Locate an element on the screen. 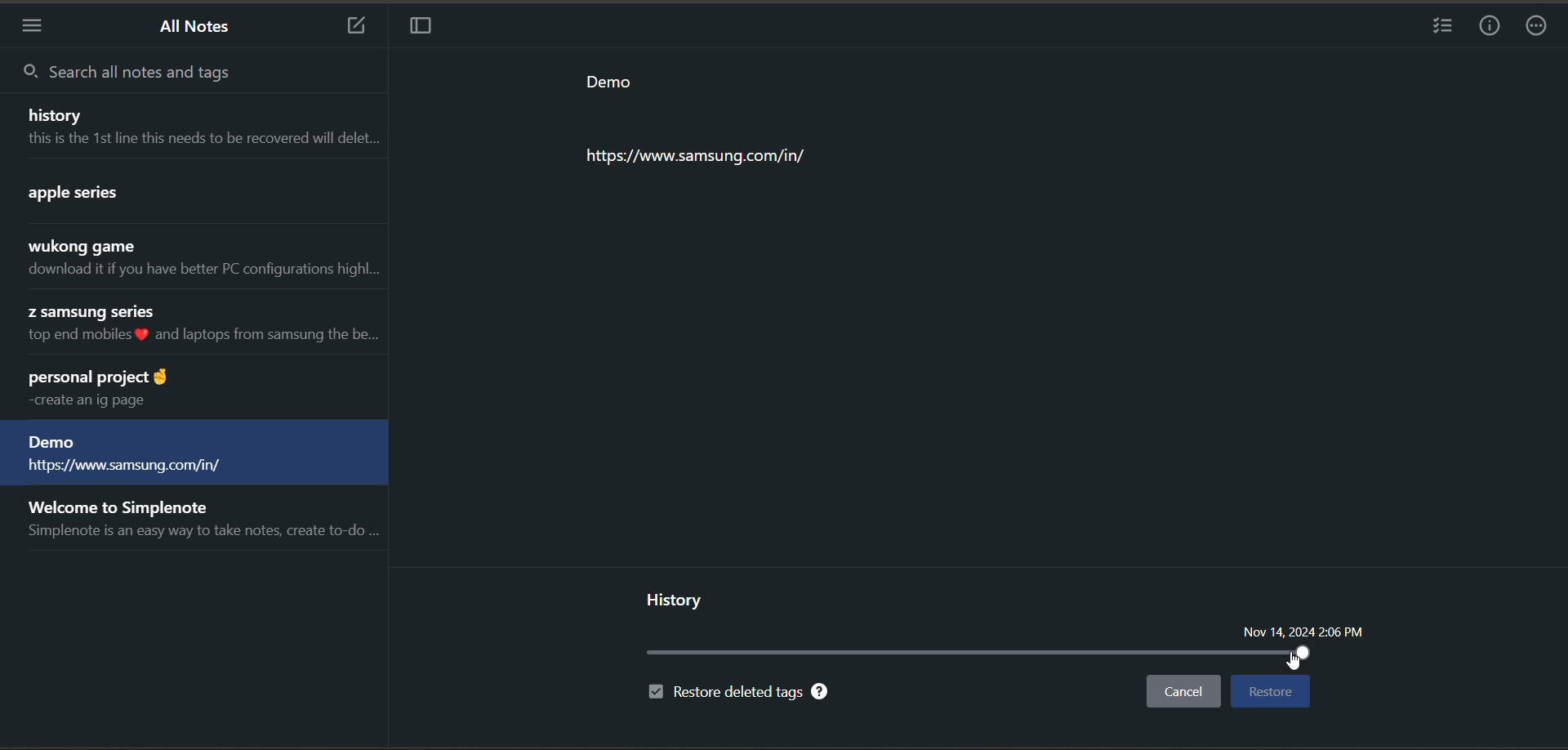 This screenshot has width=1568, height=750. all notes is located at coordinates (199, 28).